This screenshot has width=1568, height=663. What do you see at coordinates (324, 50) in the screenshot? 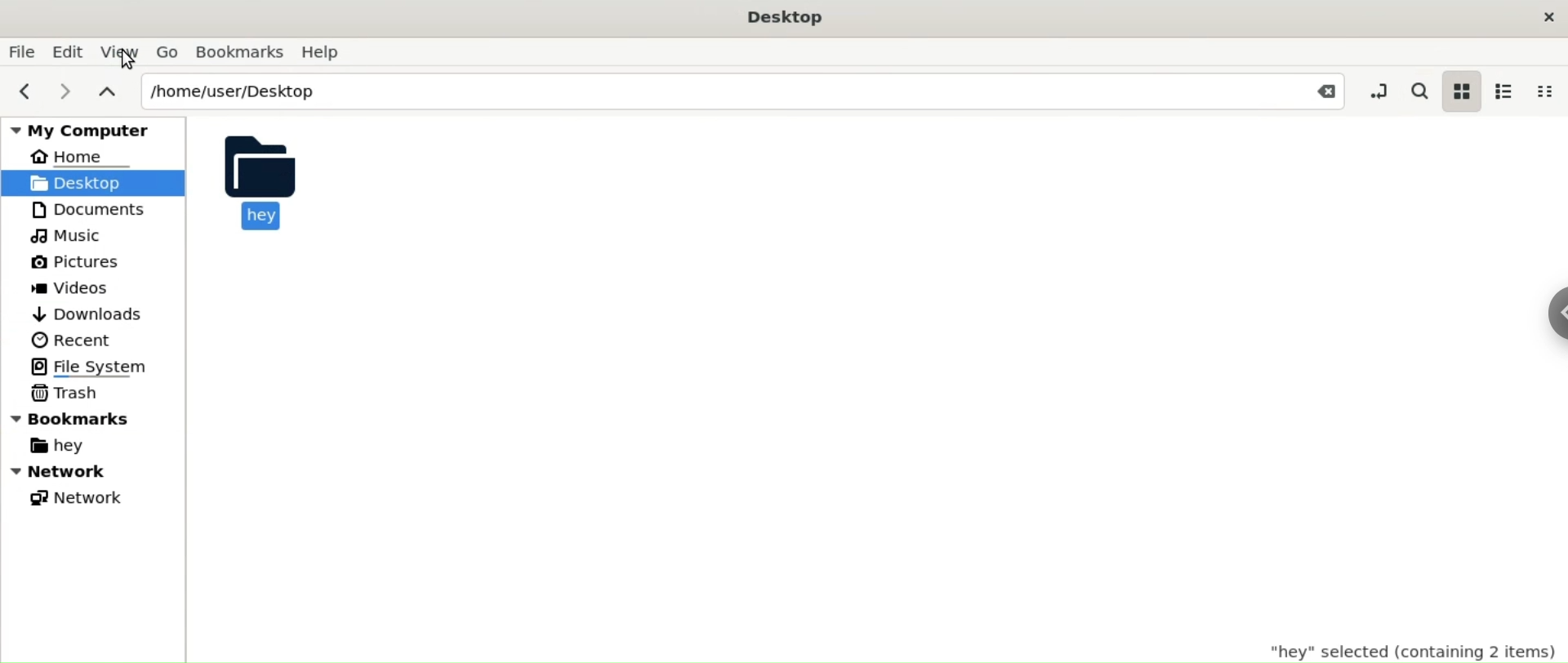
I see `Help` at bounding box center [324, 50].